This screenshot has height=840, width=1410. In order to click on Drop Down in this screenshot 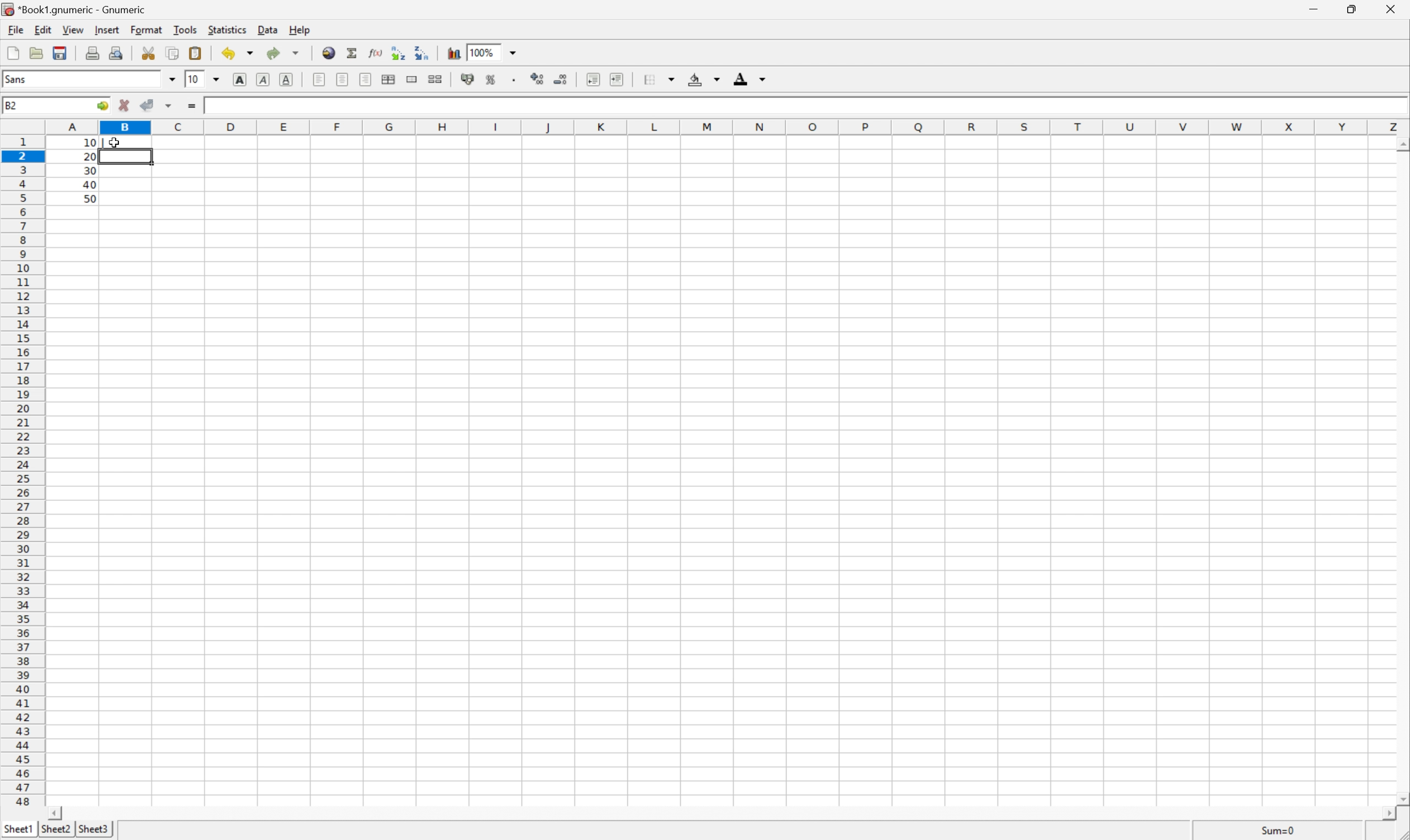, I will do `click(215, 80)`.